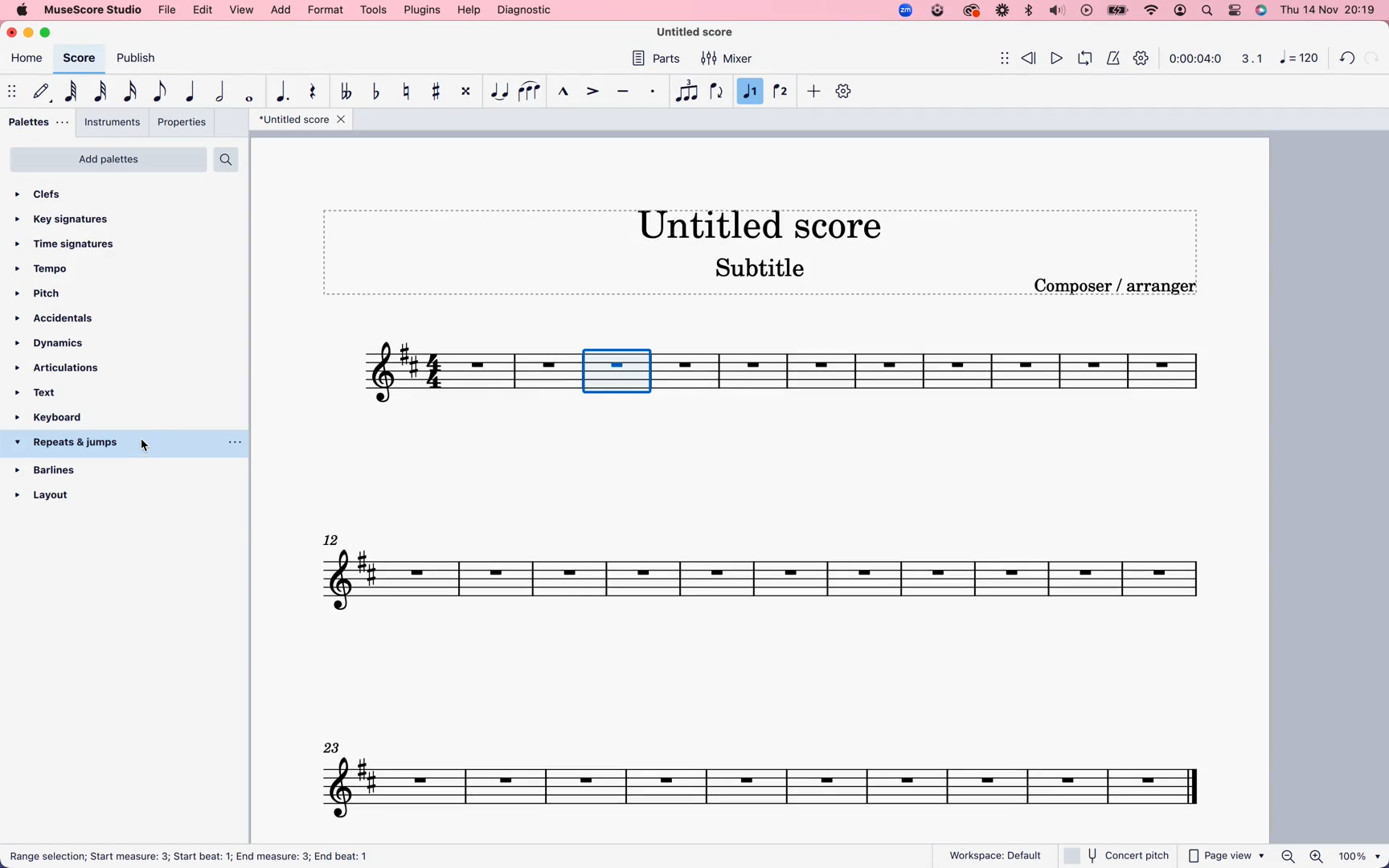 The image size is (1389, 868). I want to click on time signatures, so click(75, 244).